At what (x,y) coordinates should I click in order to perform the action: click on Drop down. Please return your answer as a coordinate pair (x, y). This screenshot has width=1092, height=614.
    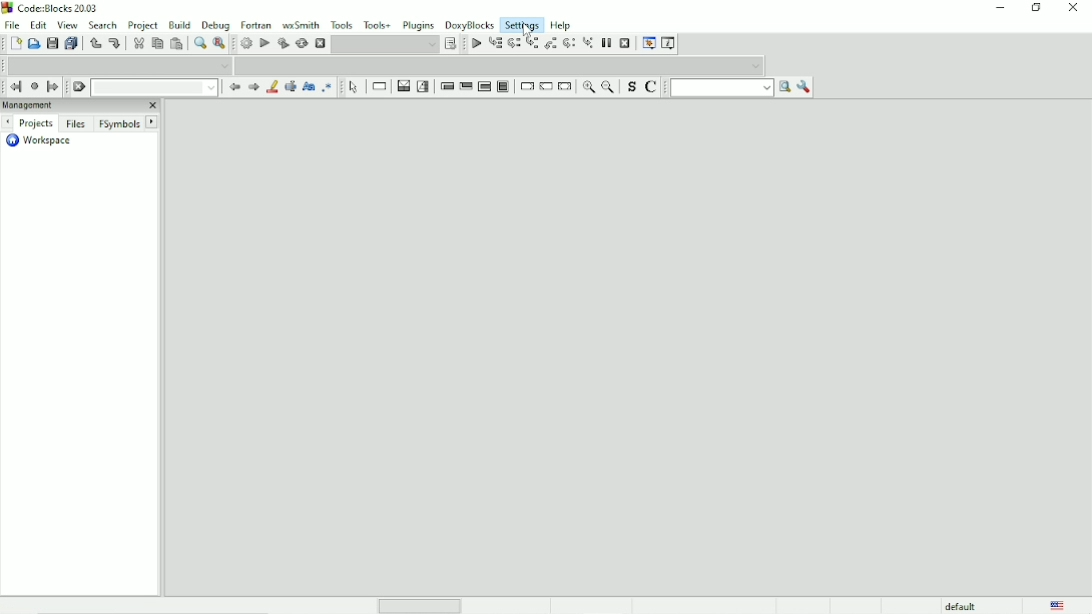
    Looking at the image, I should click on (756, 65).